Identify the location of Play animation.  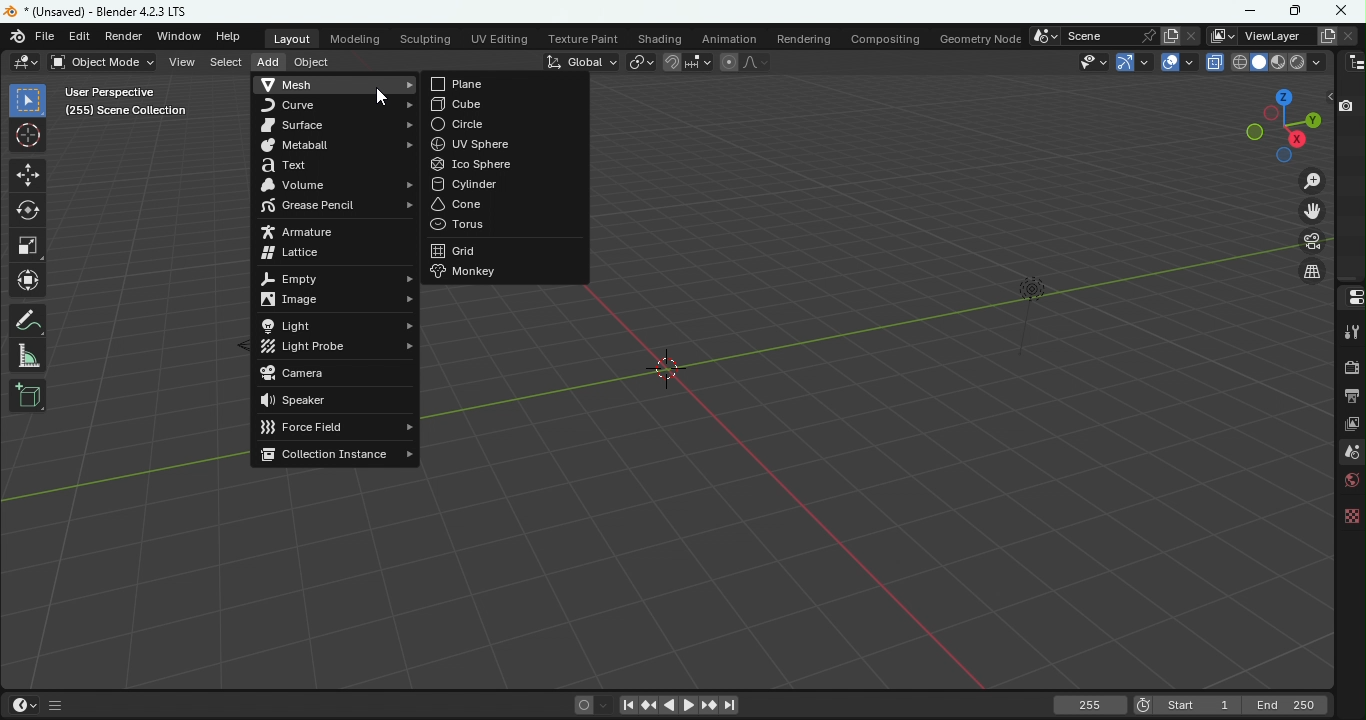
(666, 705).